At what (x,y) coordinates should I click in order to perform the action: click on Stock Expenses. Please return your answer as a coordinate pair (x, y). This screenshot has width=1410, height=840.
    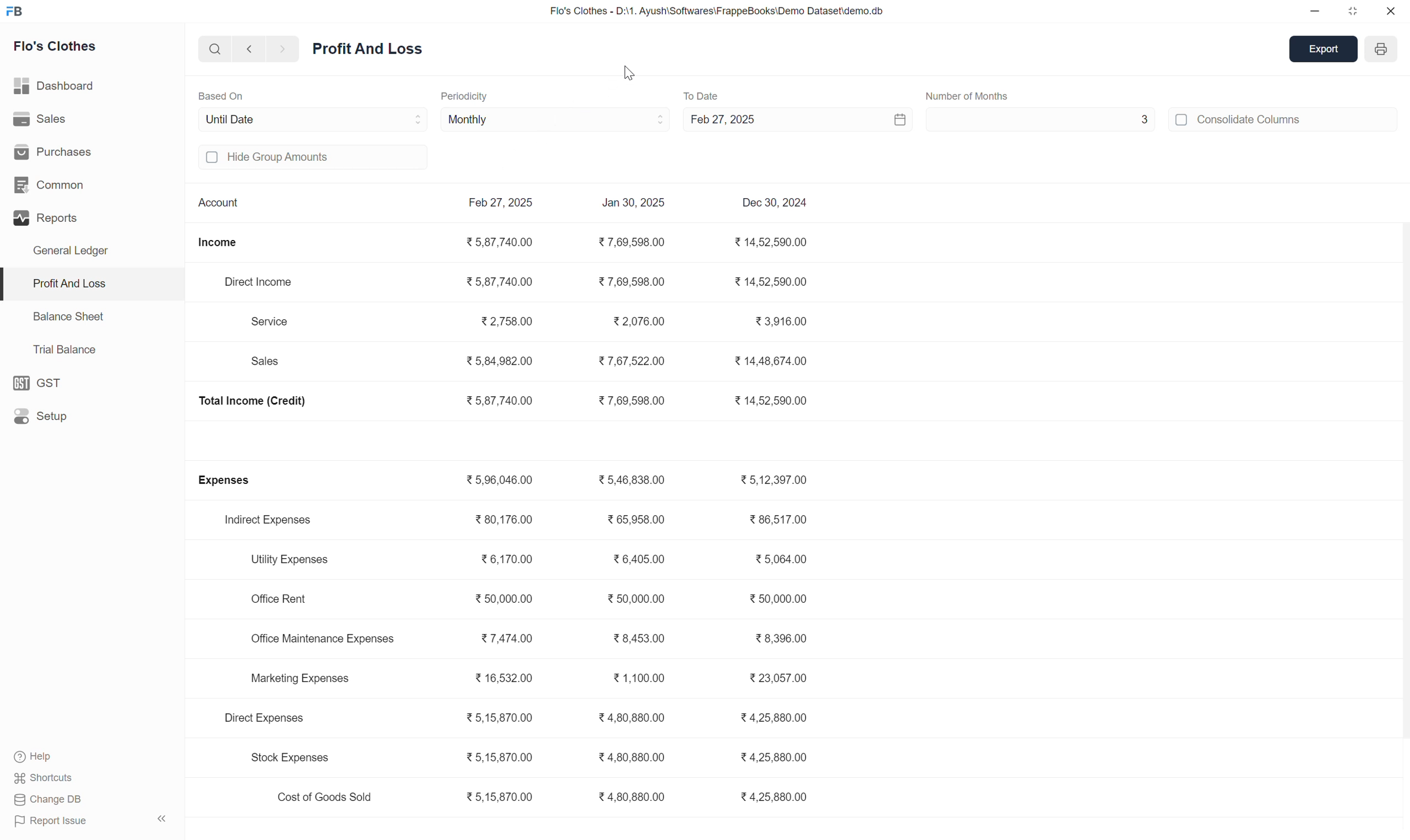
    Looking at the image, I should click on (287, 755).